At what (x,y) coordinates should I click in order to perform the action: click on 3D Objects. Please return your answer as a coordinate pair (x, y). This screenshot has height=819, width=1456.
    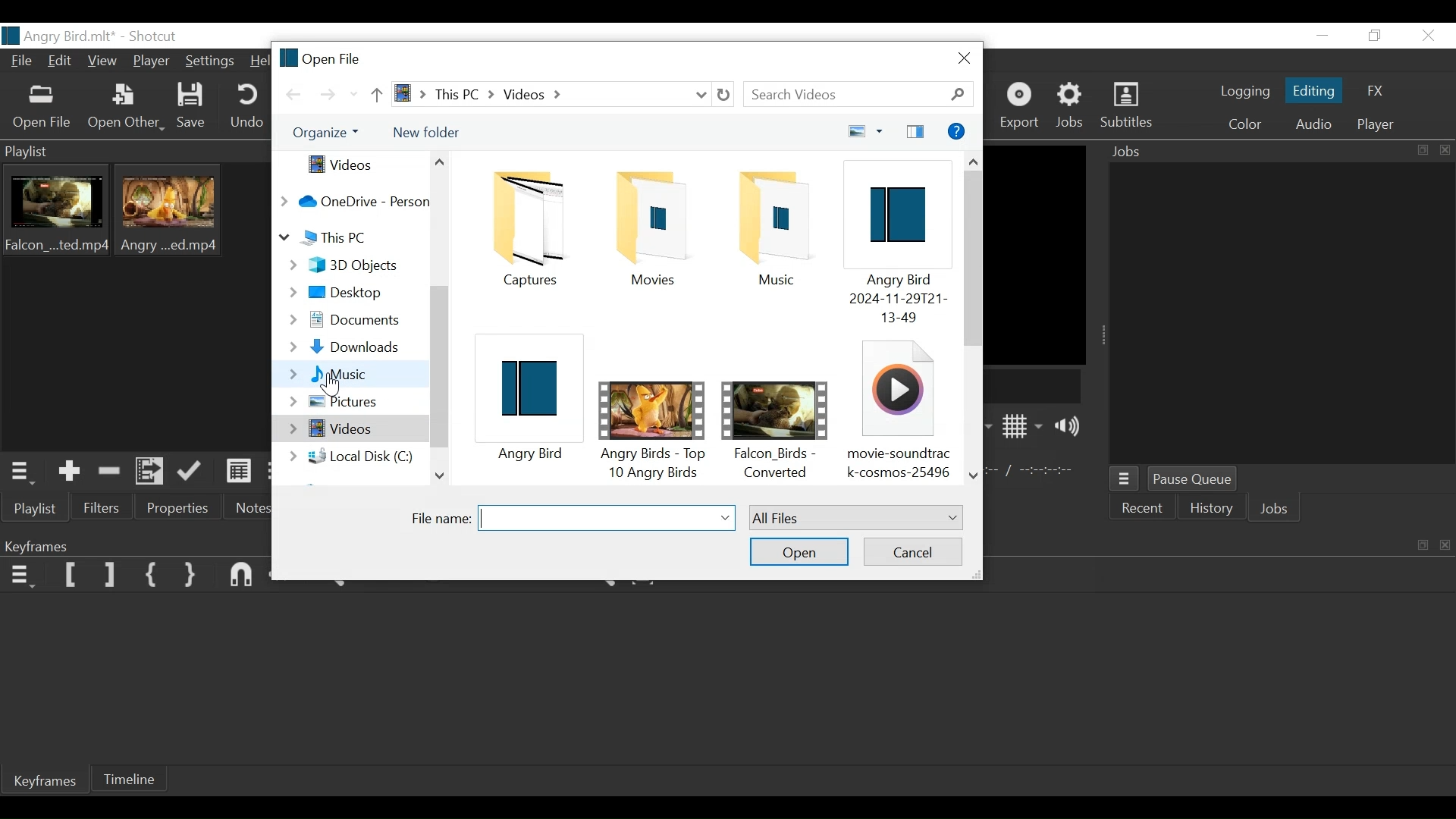
    Looking at the image, I should click on (344, 265).